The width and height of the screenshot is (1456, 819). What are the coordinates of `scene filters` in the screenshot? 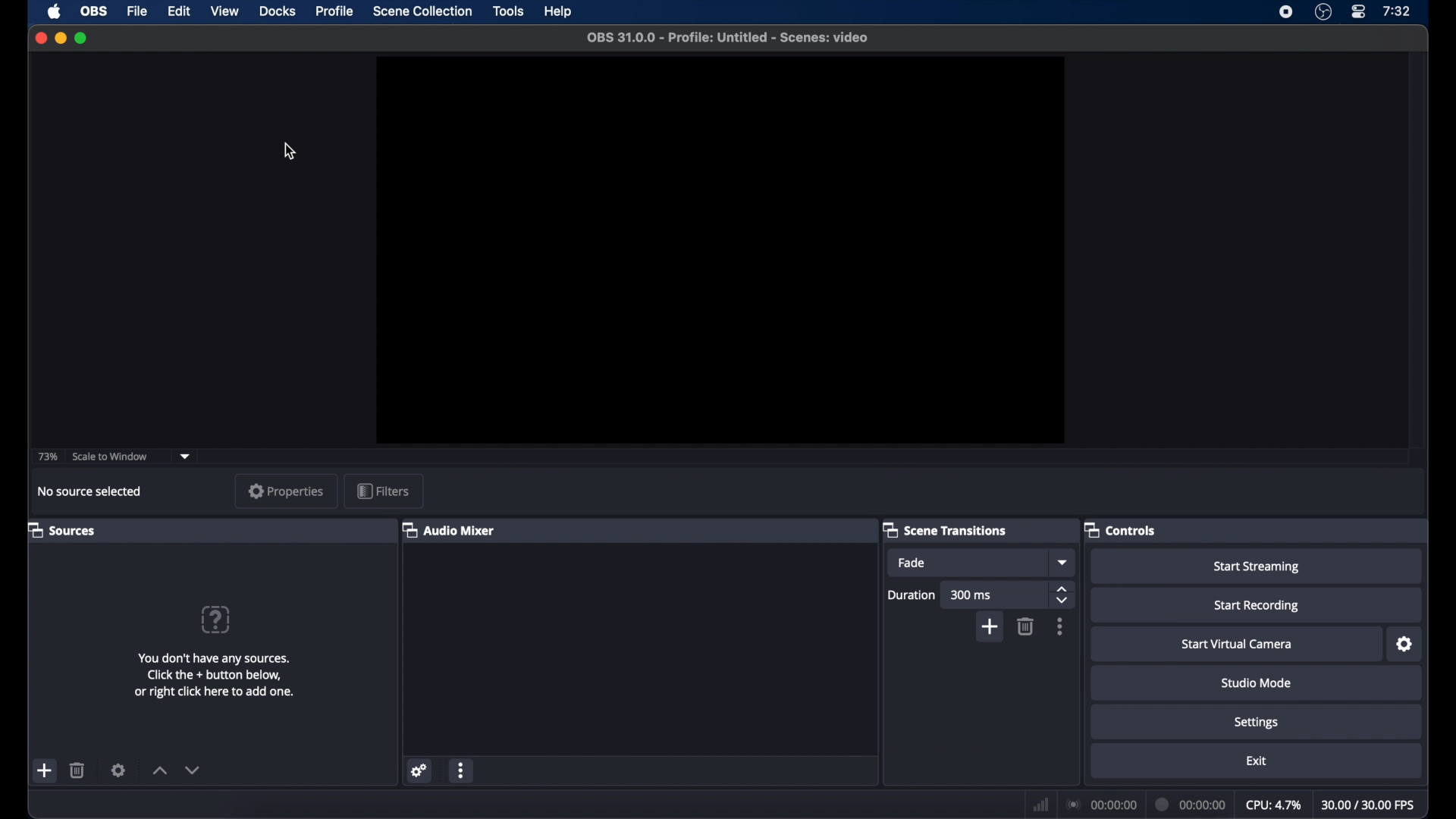 It's located at (118, 770).